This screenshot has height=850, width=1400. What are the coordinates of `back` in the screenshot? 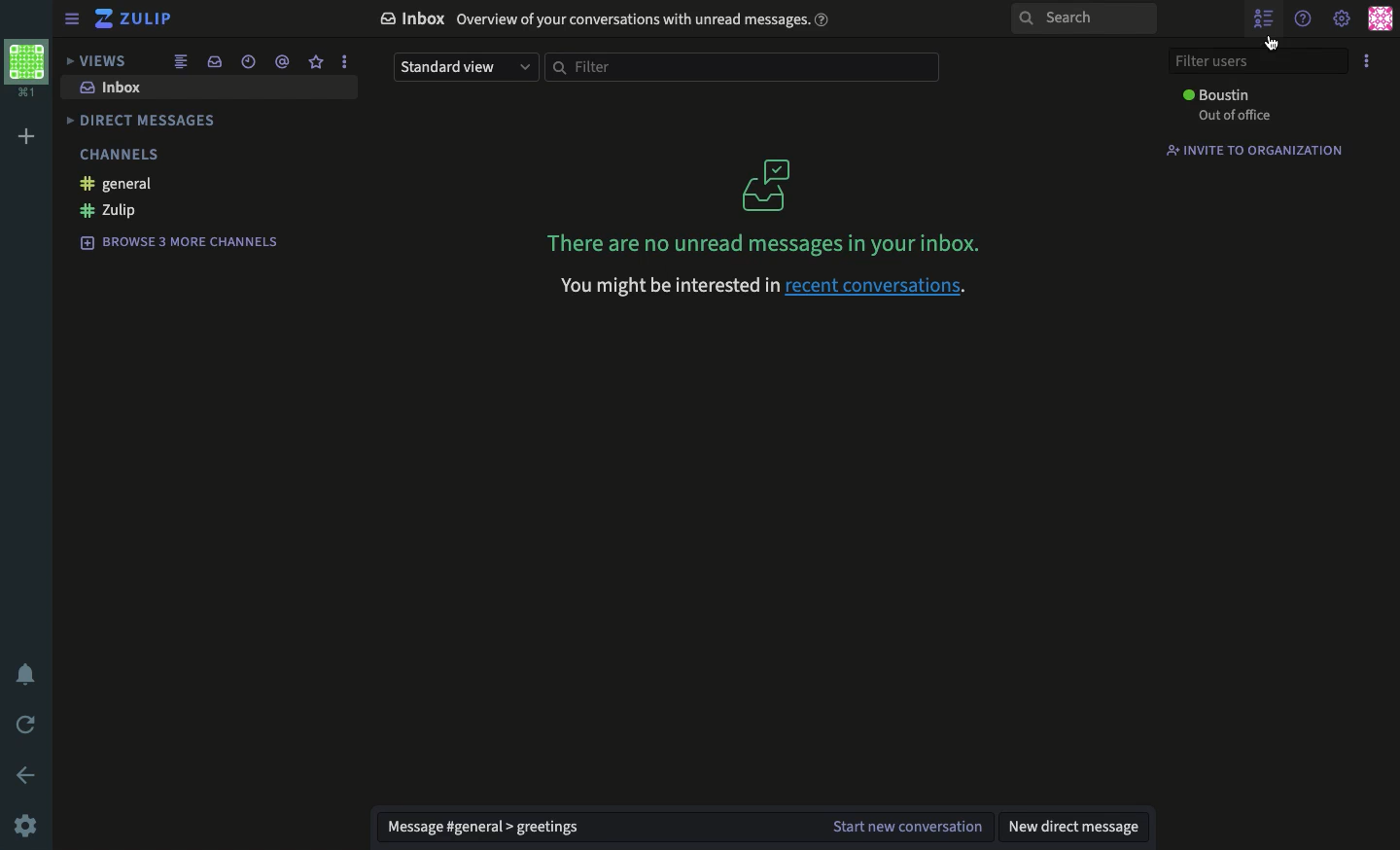 It's located at (28, 773).